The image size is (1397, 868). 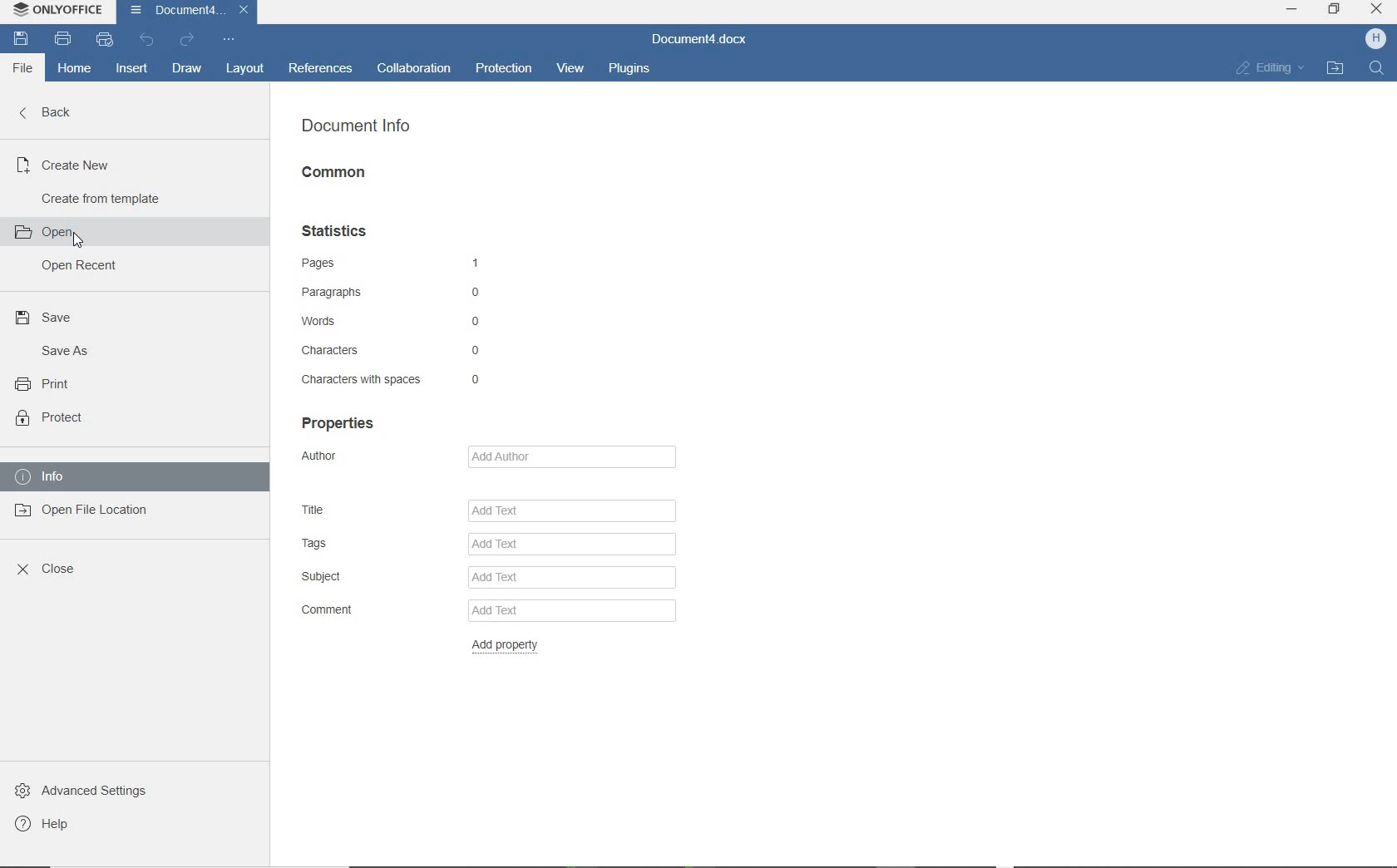 What do you see at coordinates (49, 112) in the screenshot?
I see `back` at bounding box center [49, 112].